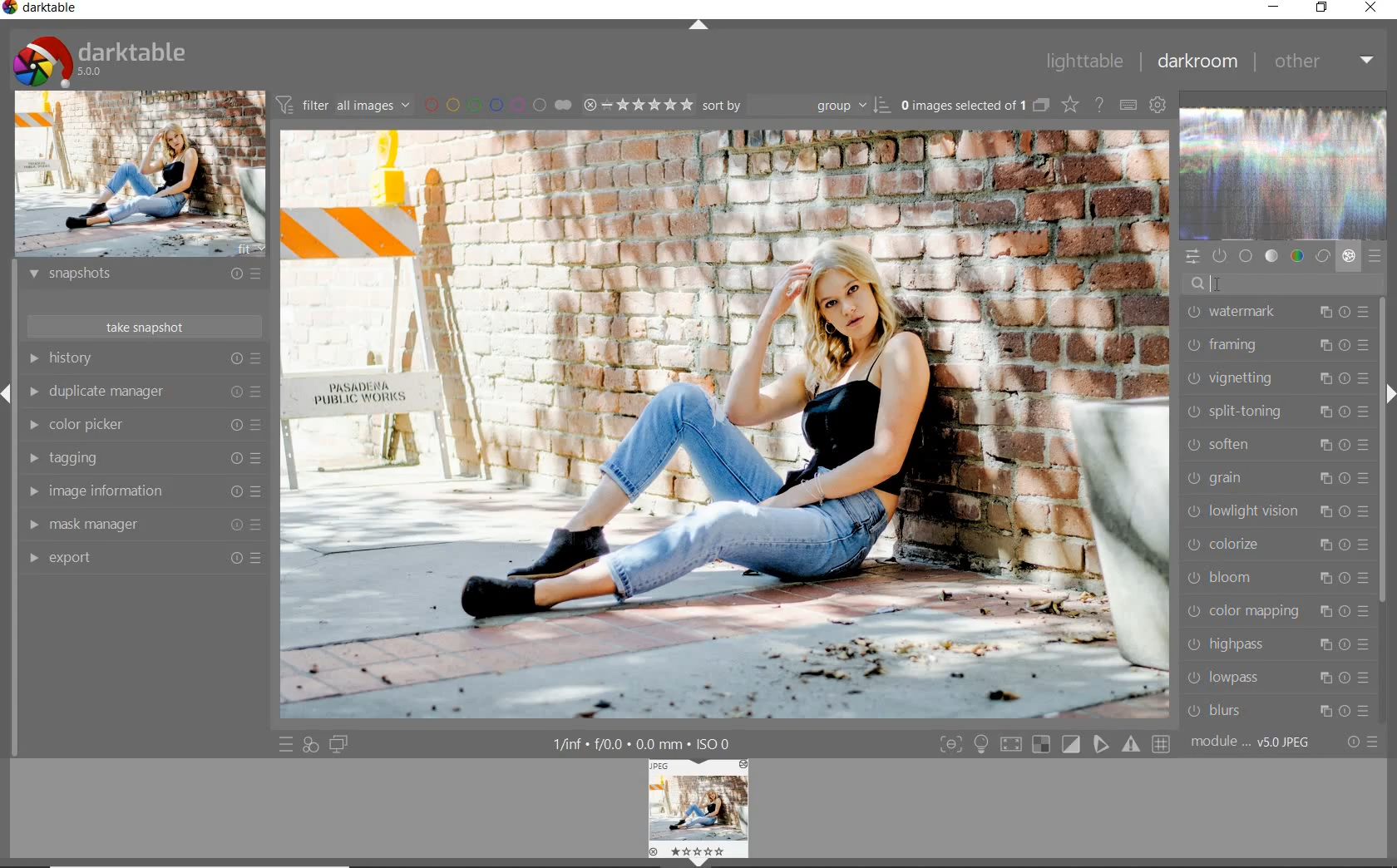  What do you see at coordinates (725, 425) in the screenshot?
I see `selected image` at bounding box center [725, 425].